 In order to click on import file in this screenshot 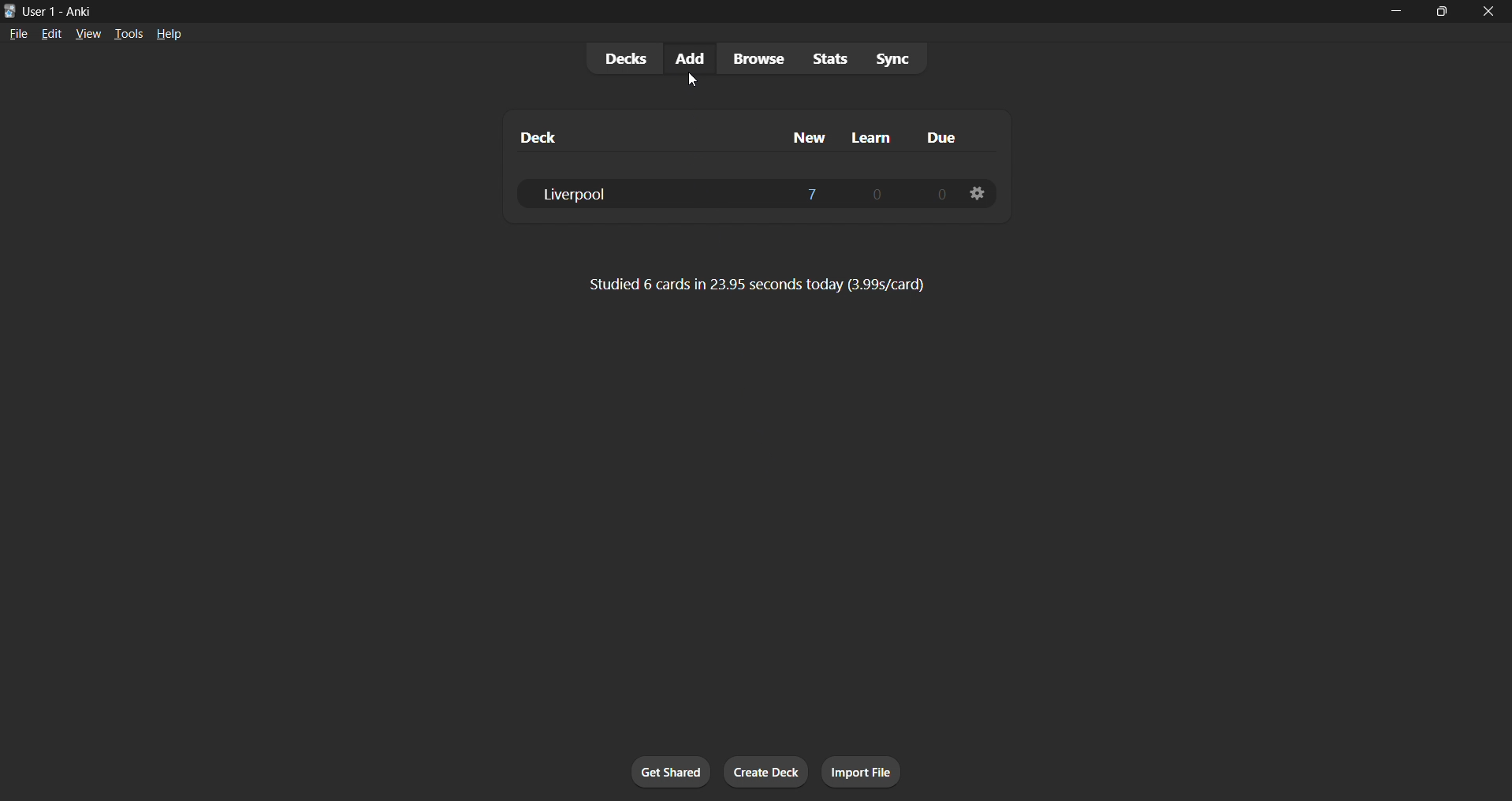, I will do `click(867, 770)`.